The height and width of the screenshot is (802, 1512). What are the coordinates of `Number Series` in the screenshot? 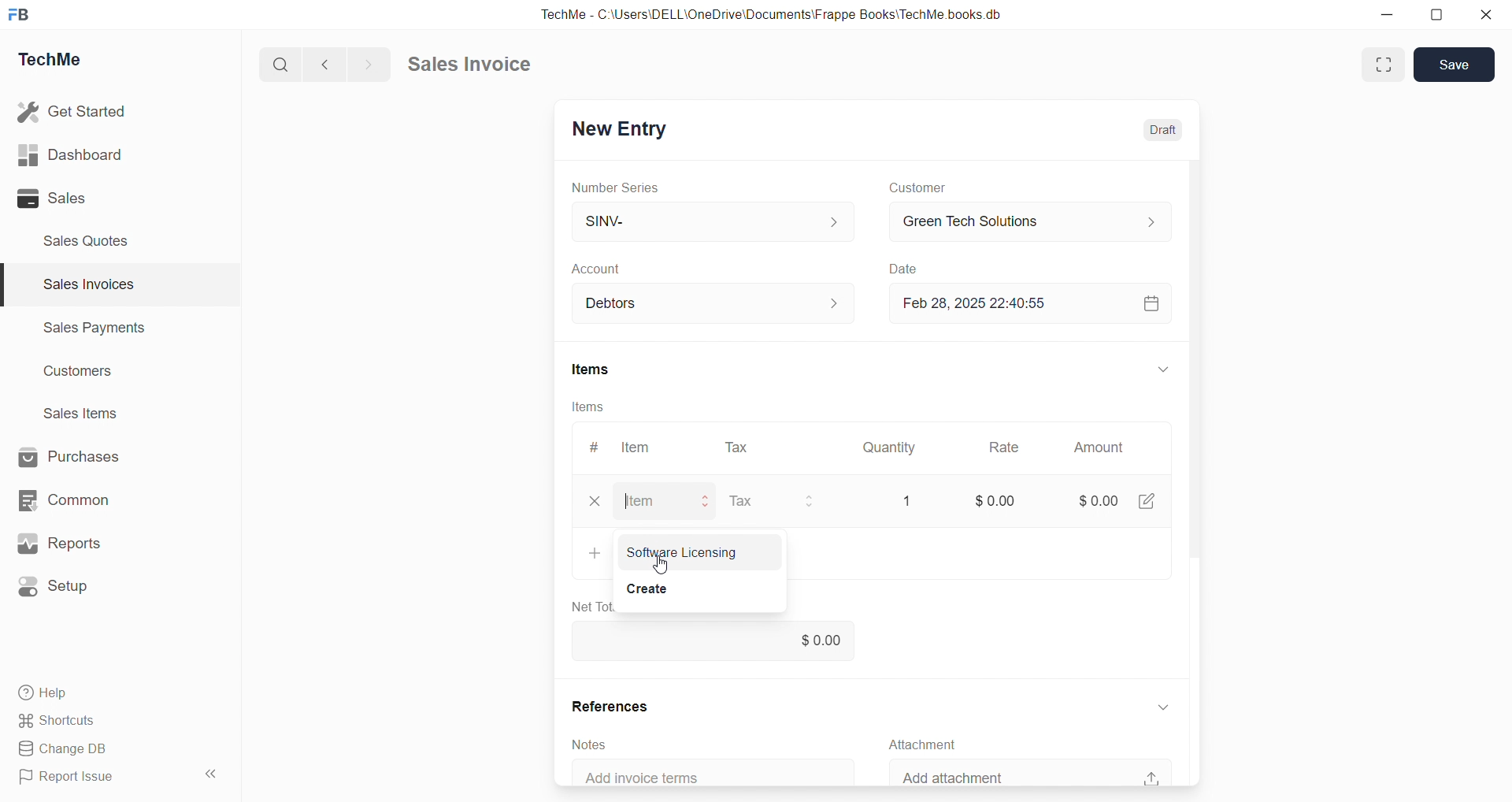 It's located at (616, 188).